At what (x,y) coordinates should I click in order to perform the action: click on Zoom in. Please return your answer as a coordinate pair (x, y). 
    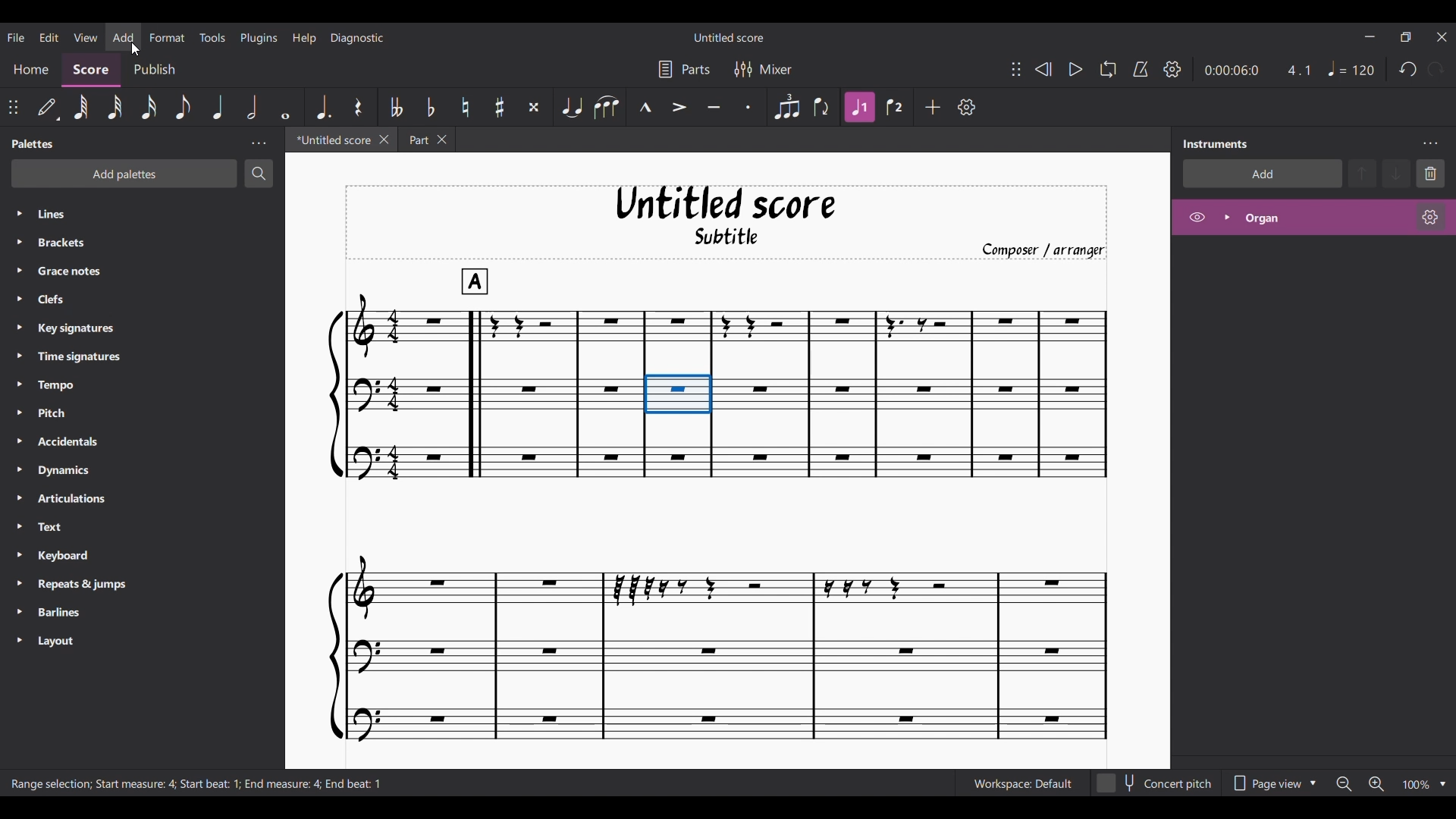
    Looking at the image, I should click on (1376, 784).